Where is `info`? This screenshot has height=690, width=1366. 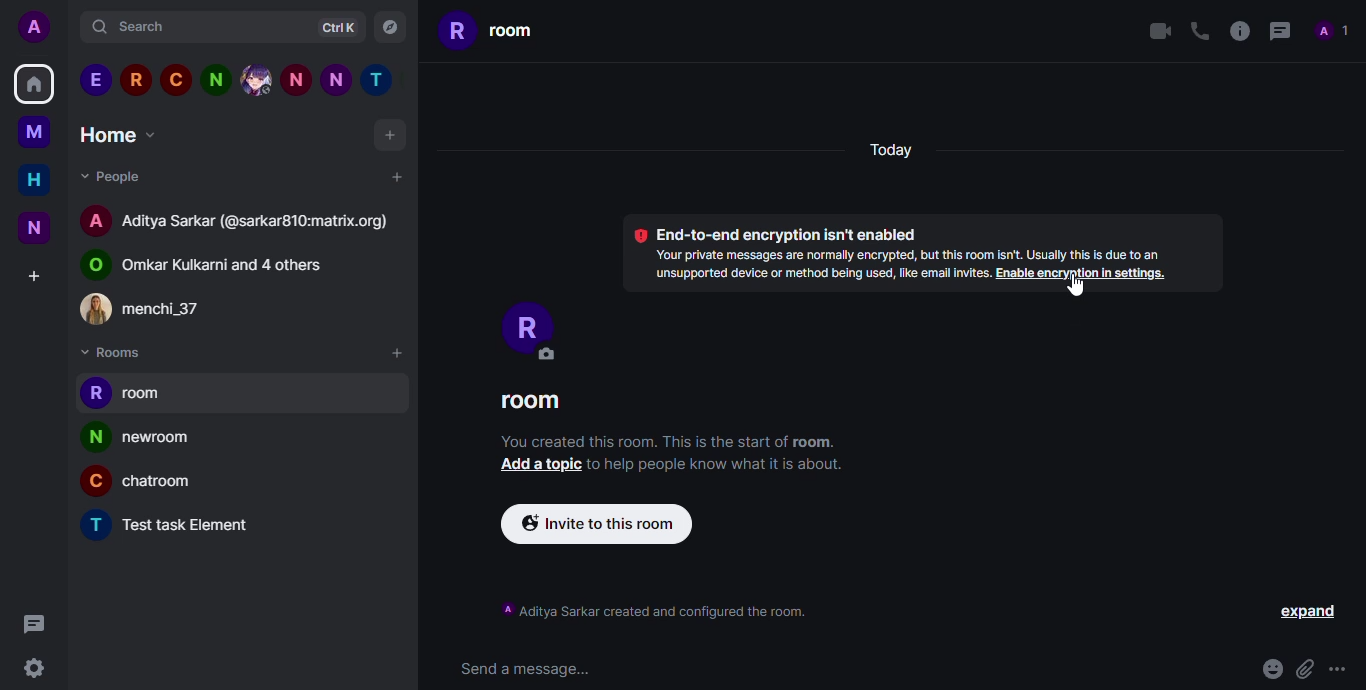
info is located at coordinates (719, 465).